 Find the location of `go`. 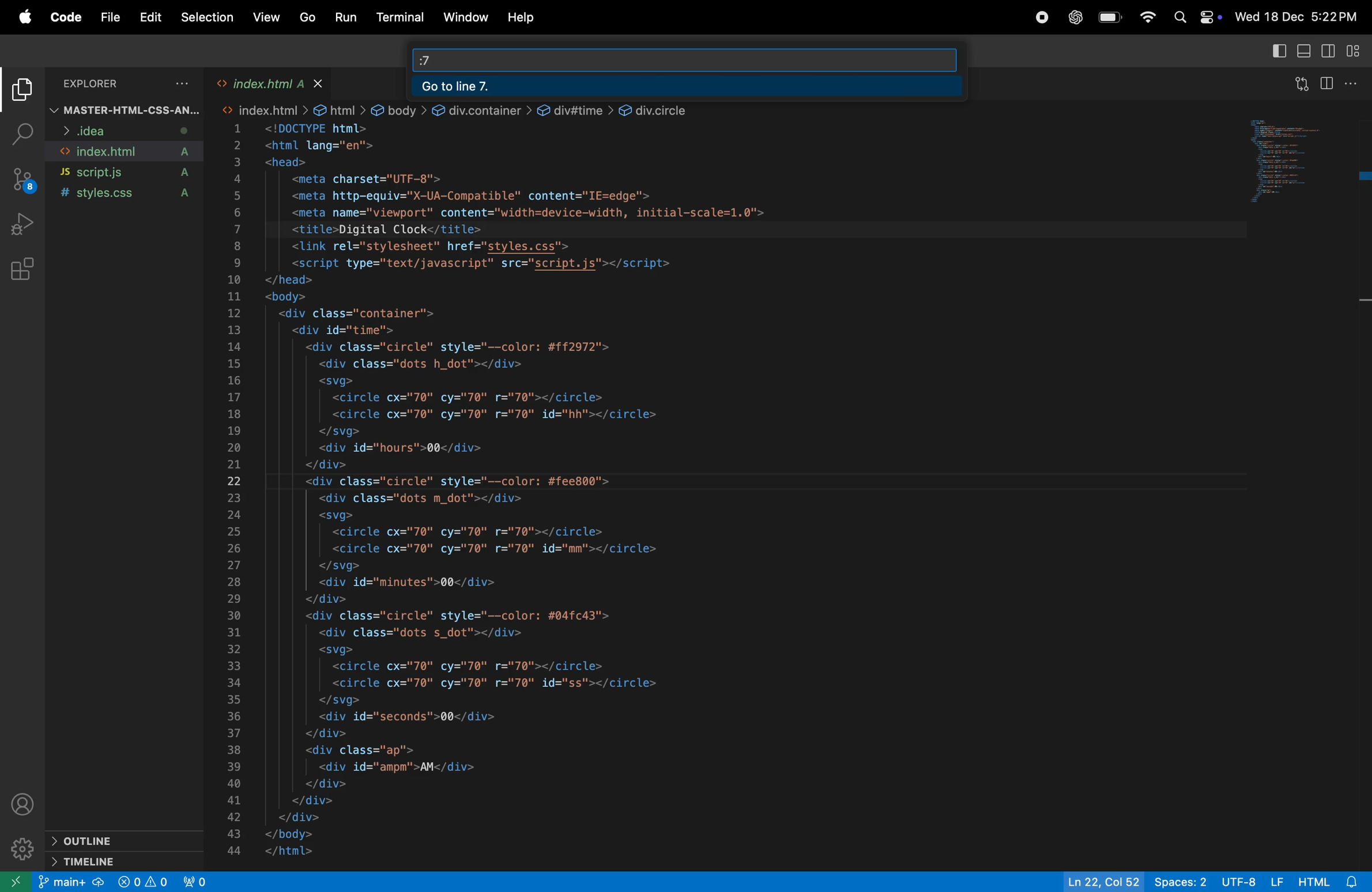

go is located at coordinates (309, 18).